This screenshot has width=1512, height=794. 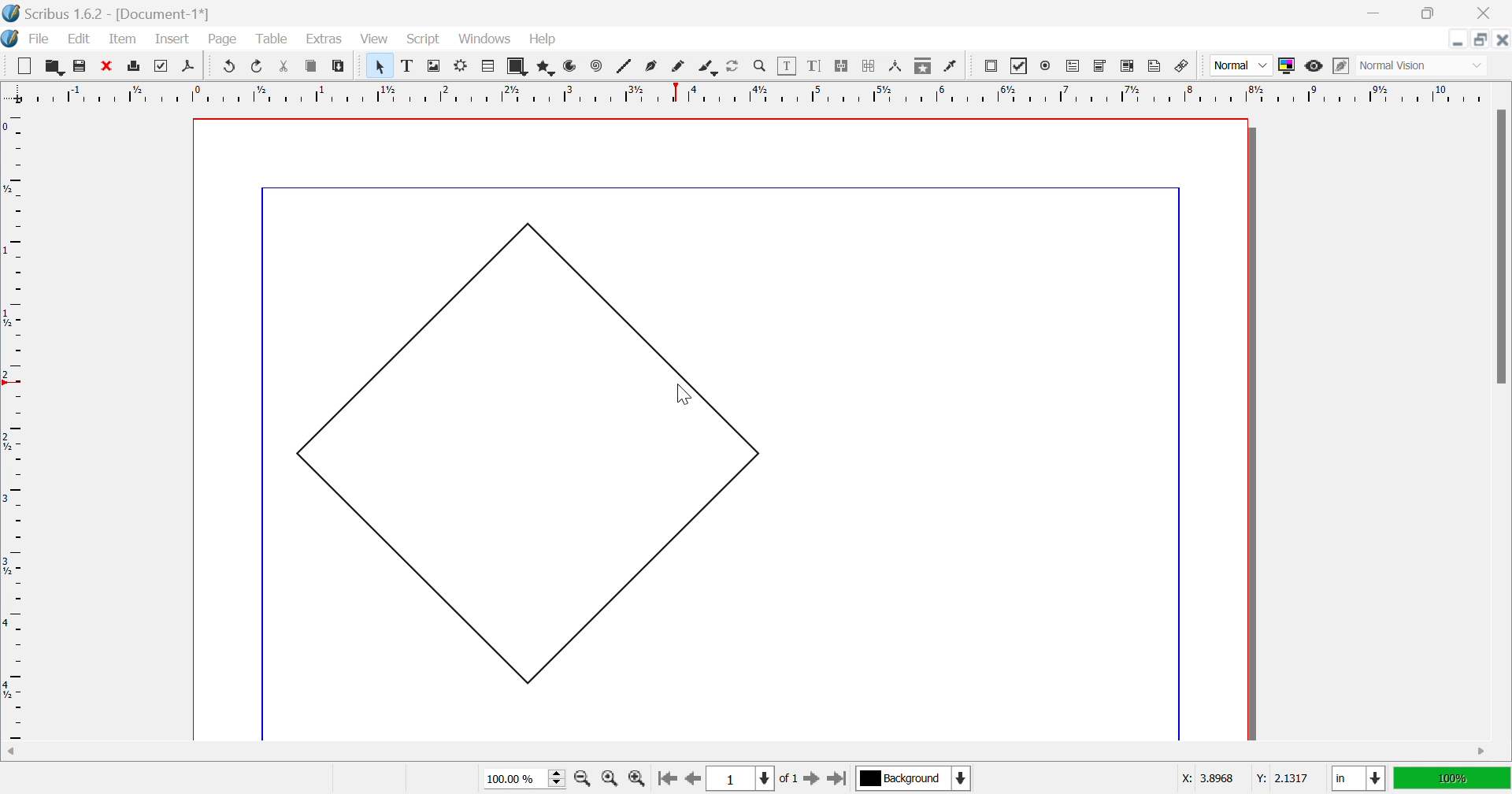 I want to click on Copy item properties, so click(x=921, y=67).